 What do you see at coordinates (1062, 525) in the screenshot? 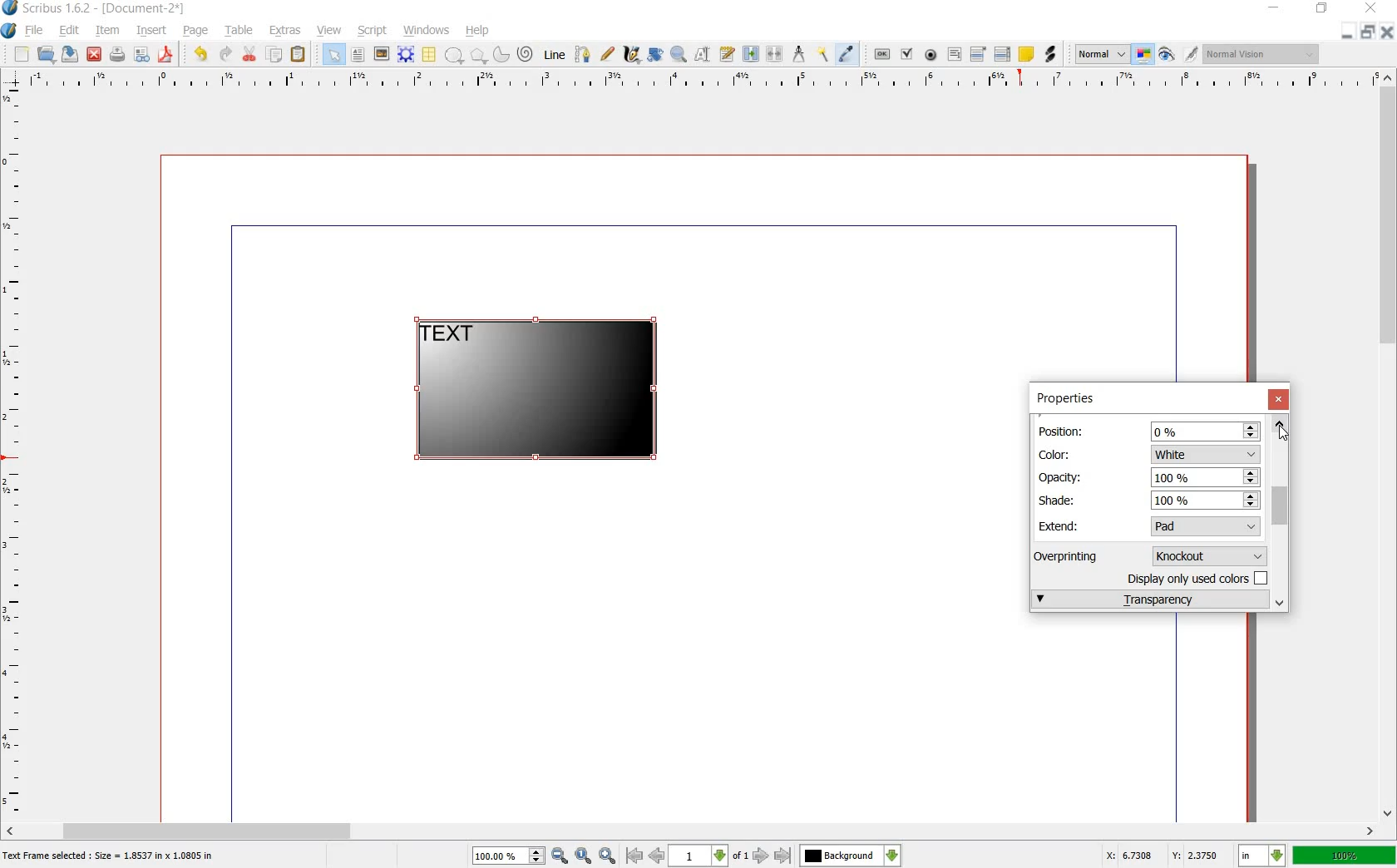
I see `extend` at bounding box center [1062, 525].